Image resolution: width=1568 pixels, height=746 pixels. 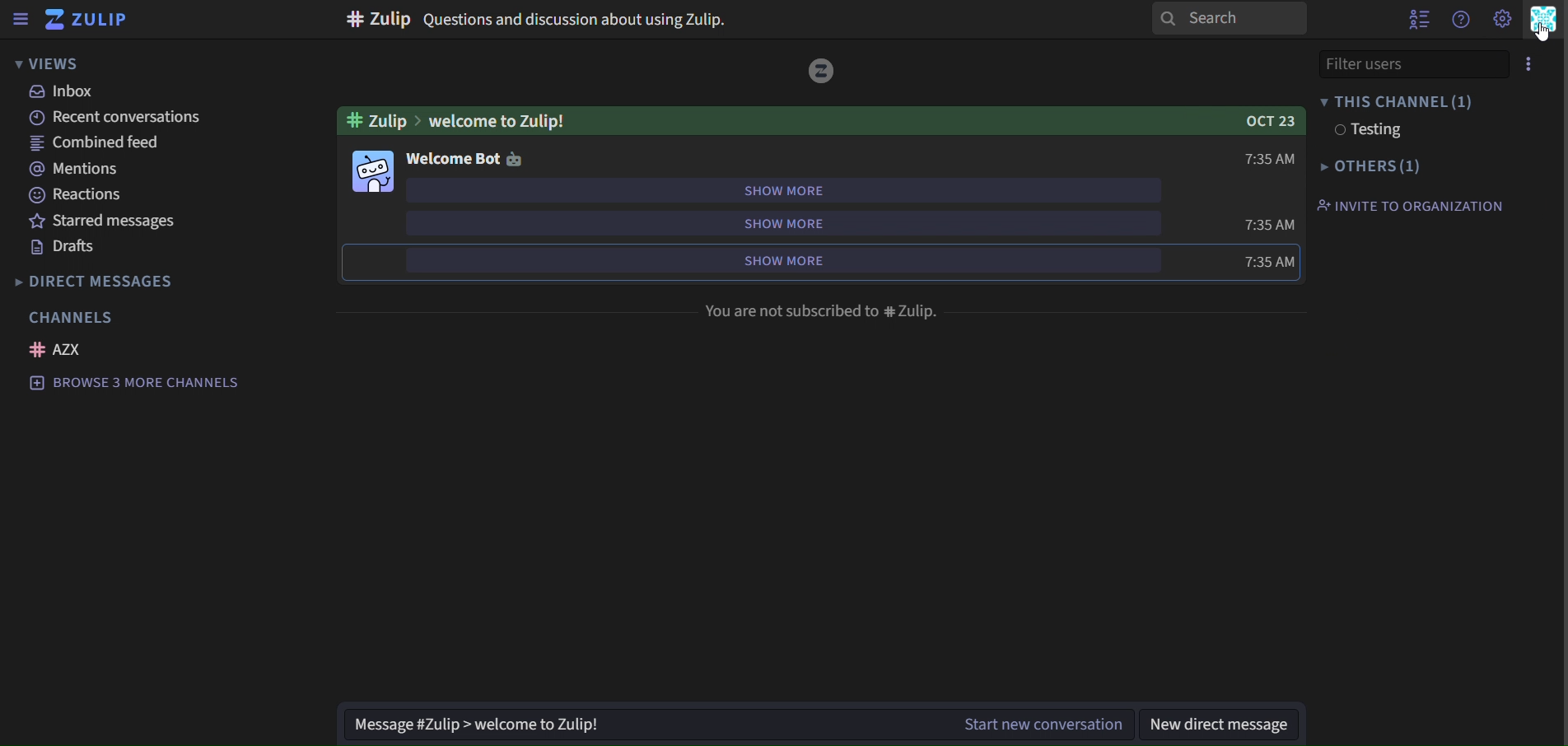 What do you see at coordinates (1967, 21) in the screenshot?
I see `personal menu` at bounding box center [1967, 21].